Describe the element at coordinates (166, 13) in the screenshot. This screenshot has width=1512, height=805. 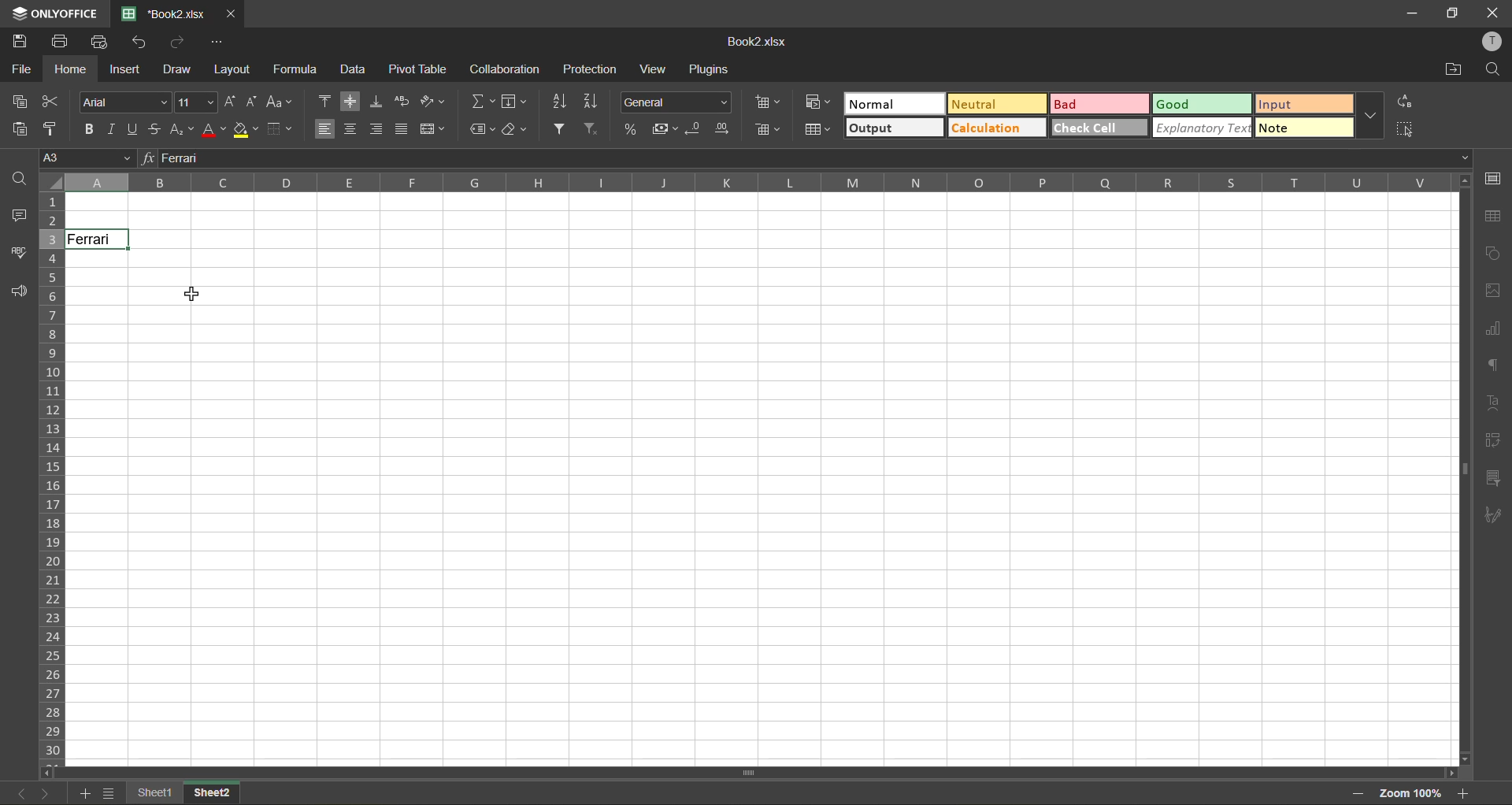
I see `*Book2.xlsx` at that location.